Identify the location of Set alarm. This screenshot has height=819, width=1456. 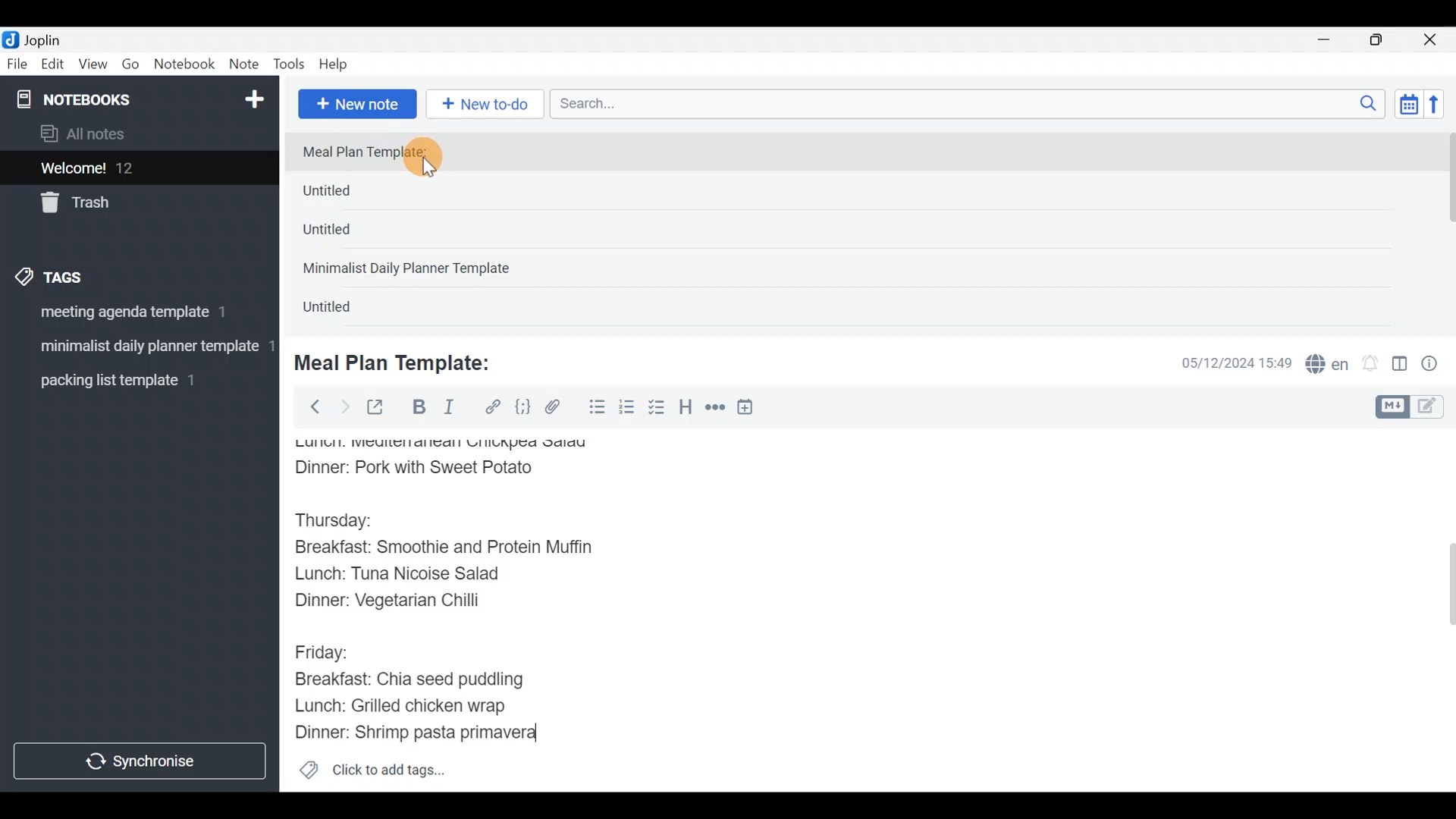
(1371, 365).